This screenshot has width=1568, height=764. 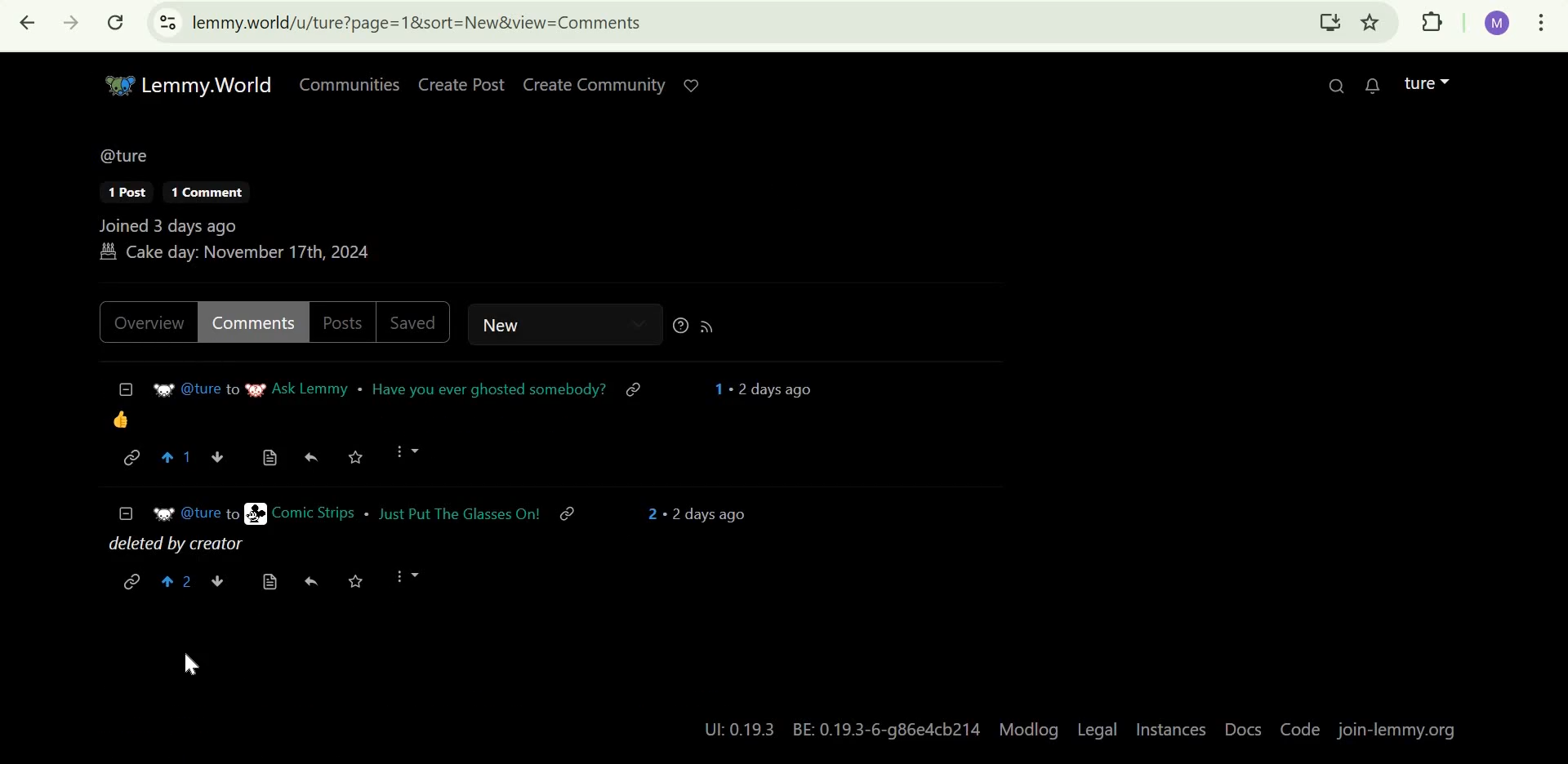 What do you see at coordinates (771, 389) in the screenshot?
I see `1 . 2 days go` at bounding box center [771, 389].